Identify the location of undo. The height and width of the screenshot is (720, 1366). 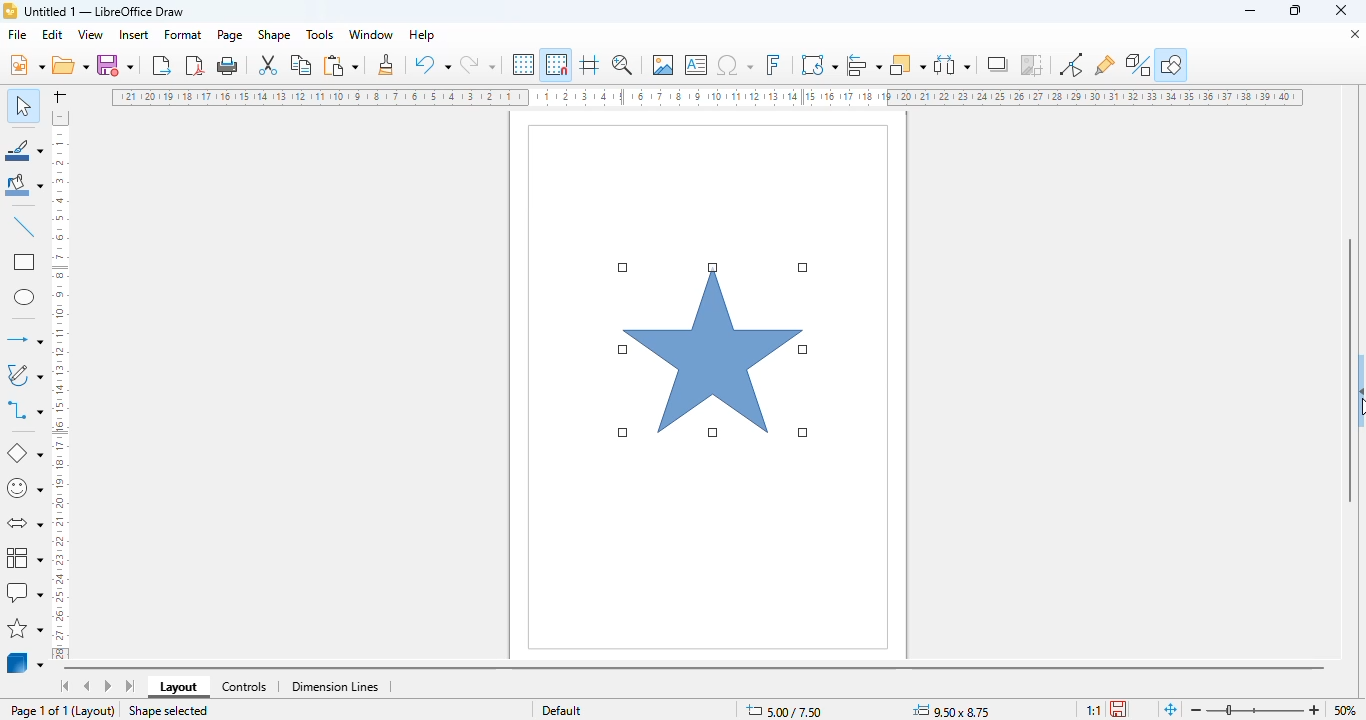
(432, 64).